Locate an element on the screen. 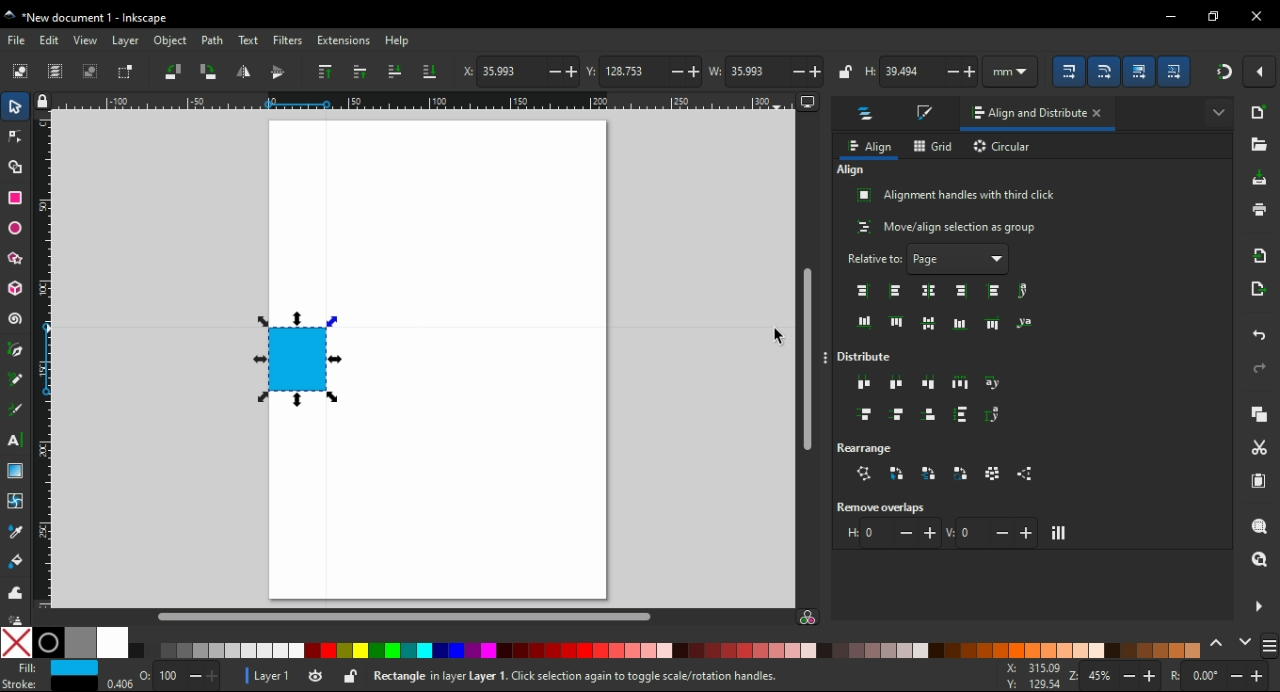 This screenshot has width=1280, height=692. lock is located at coordinates (845, 71).